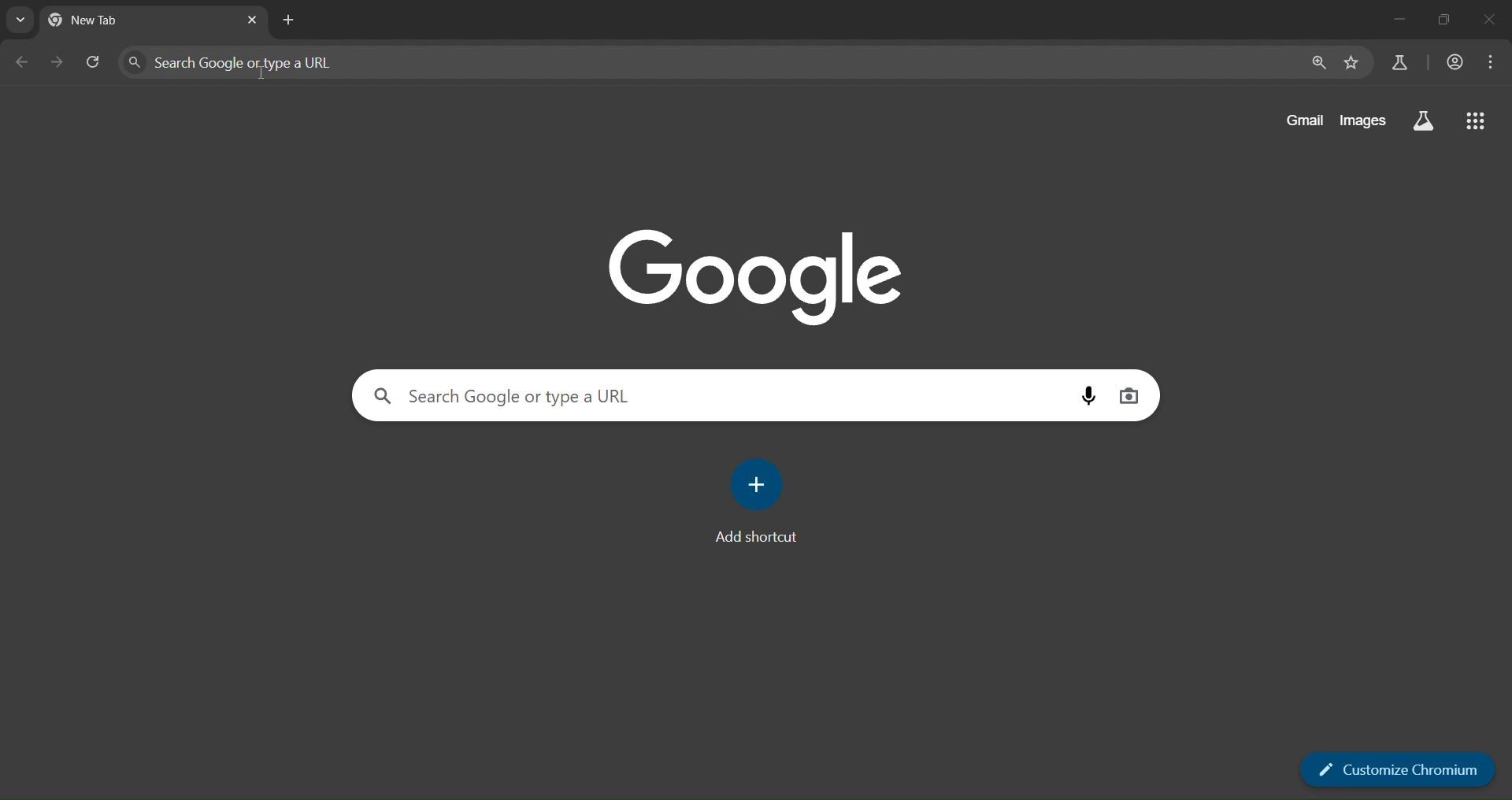 Image resolution: width=1512 pixels, height=800 pixels. What do you see at coordinates (760, 273) in the screenshot?
I see `image` at bounding box center [760, 273].